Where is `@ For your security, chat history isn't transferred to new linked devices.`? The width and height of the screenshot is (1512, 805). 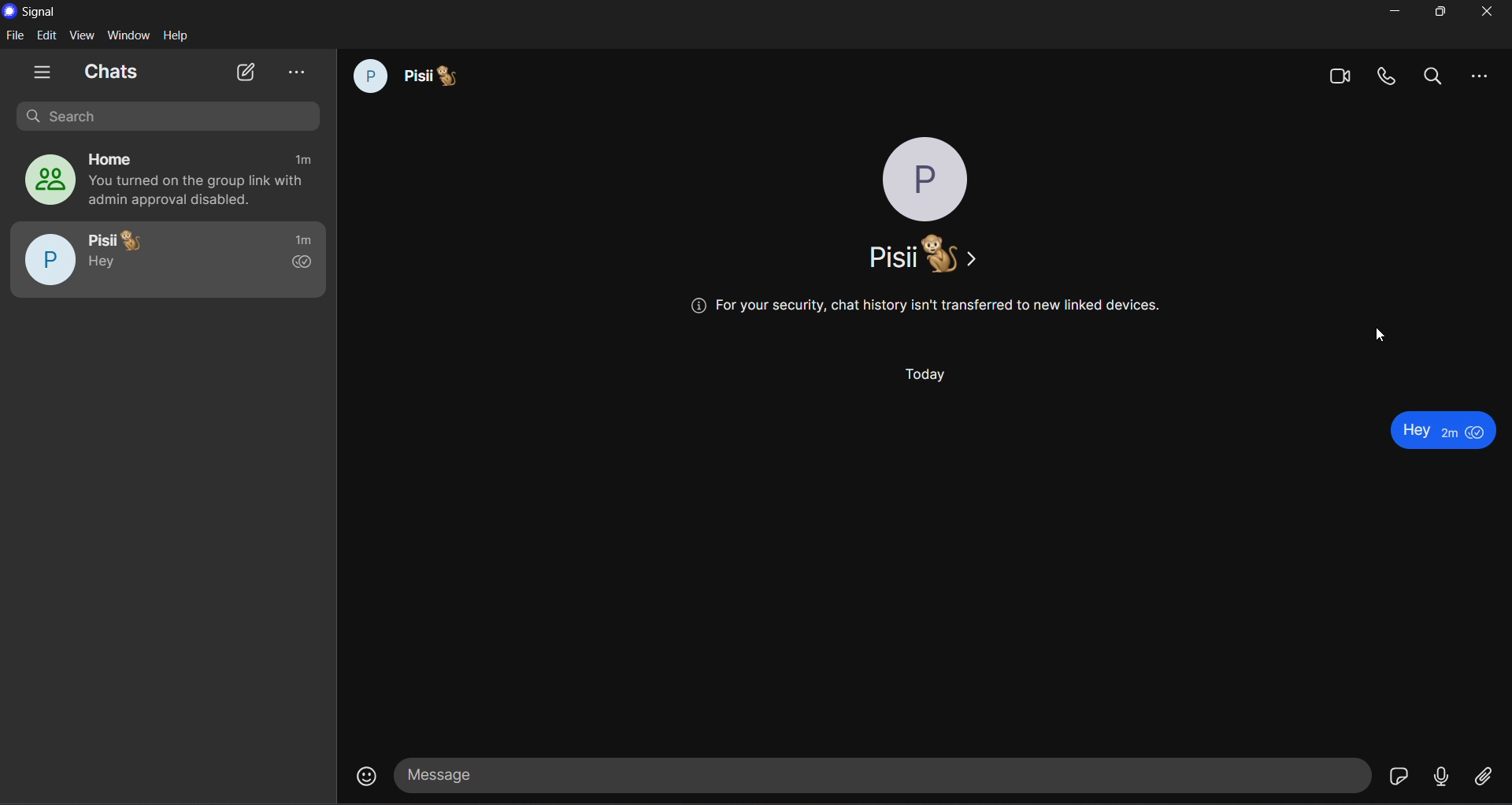
@ For your security, chat history isn't transferred to new linked devices. is located at coordinates (929, 304).